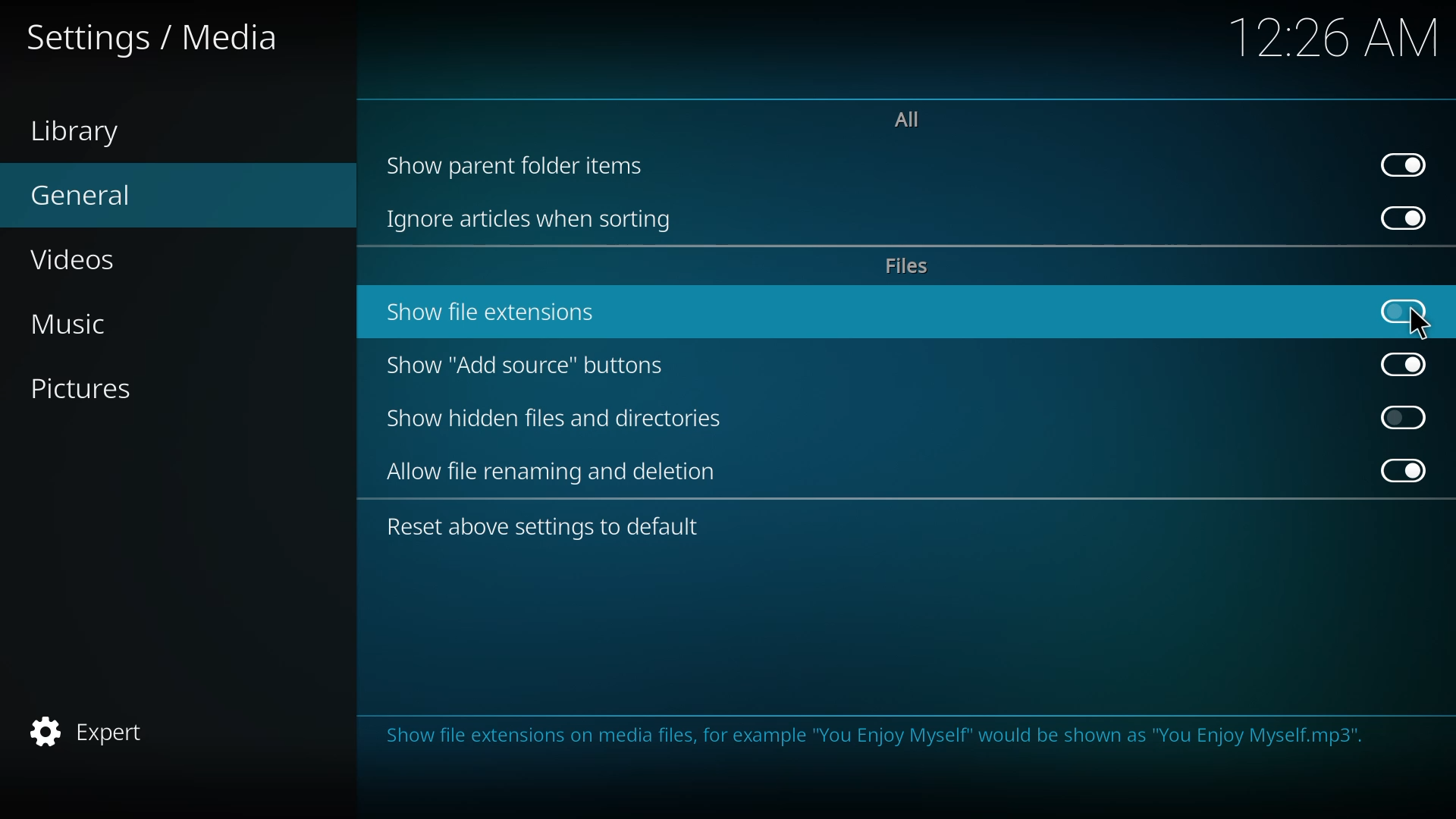  Describe the element at coordinates (1420, 324) in the screenshot. I see `cursor` at that location.